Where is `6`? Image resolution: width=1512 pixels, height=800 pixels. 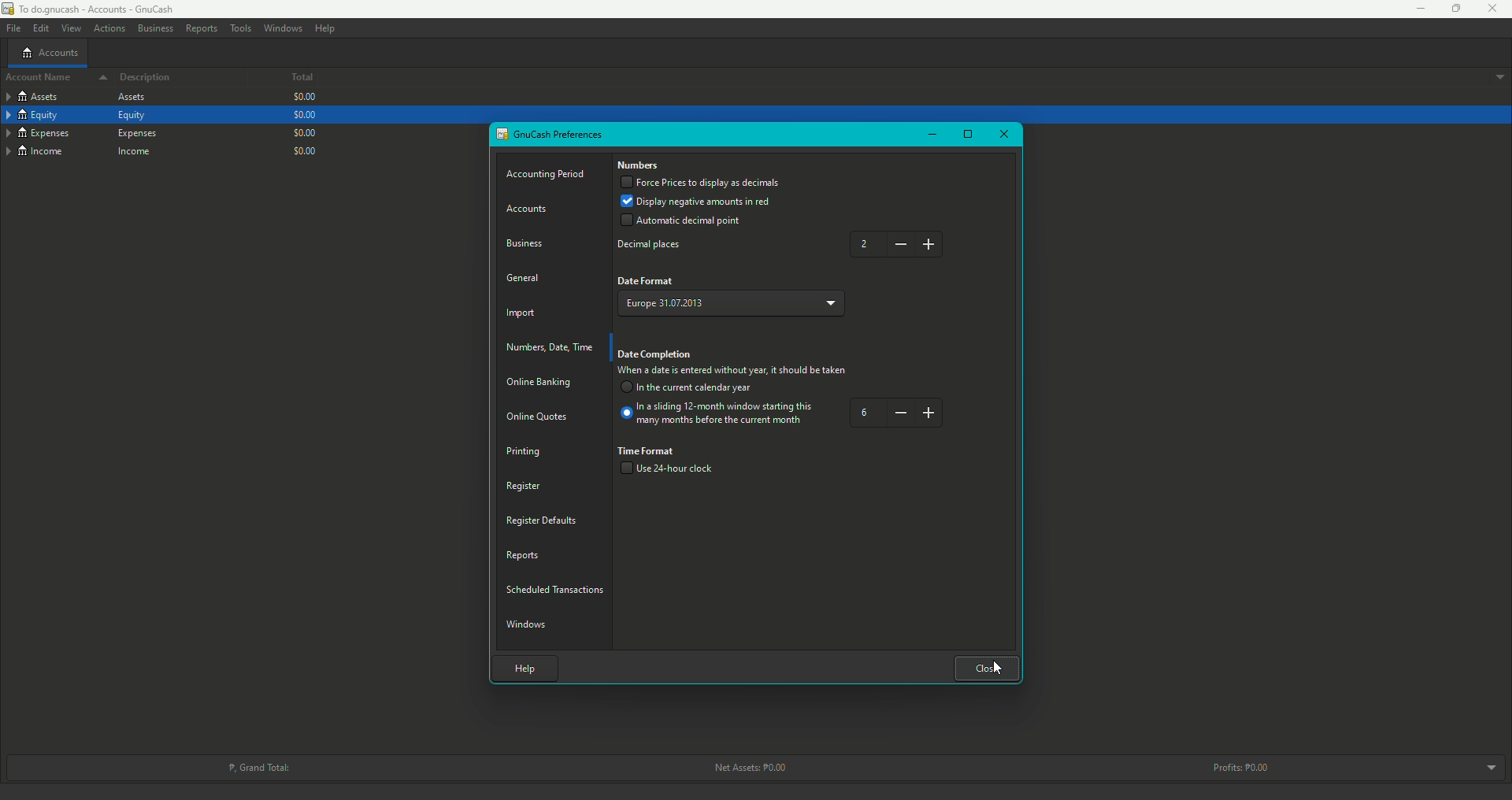
6 is located at coordinates (897, 413).